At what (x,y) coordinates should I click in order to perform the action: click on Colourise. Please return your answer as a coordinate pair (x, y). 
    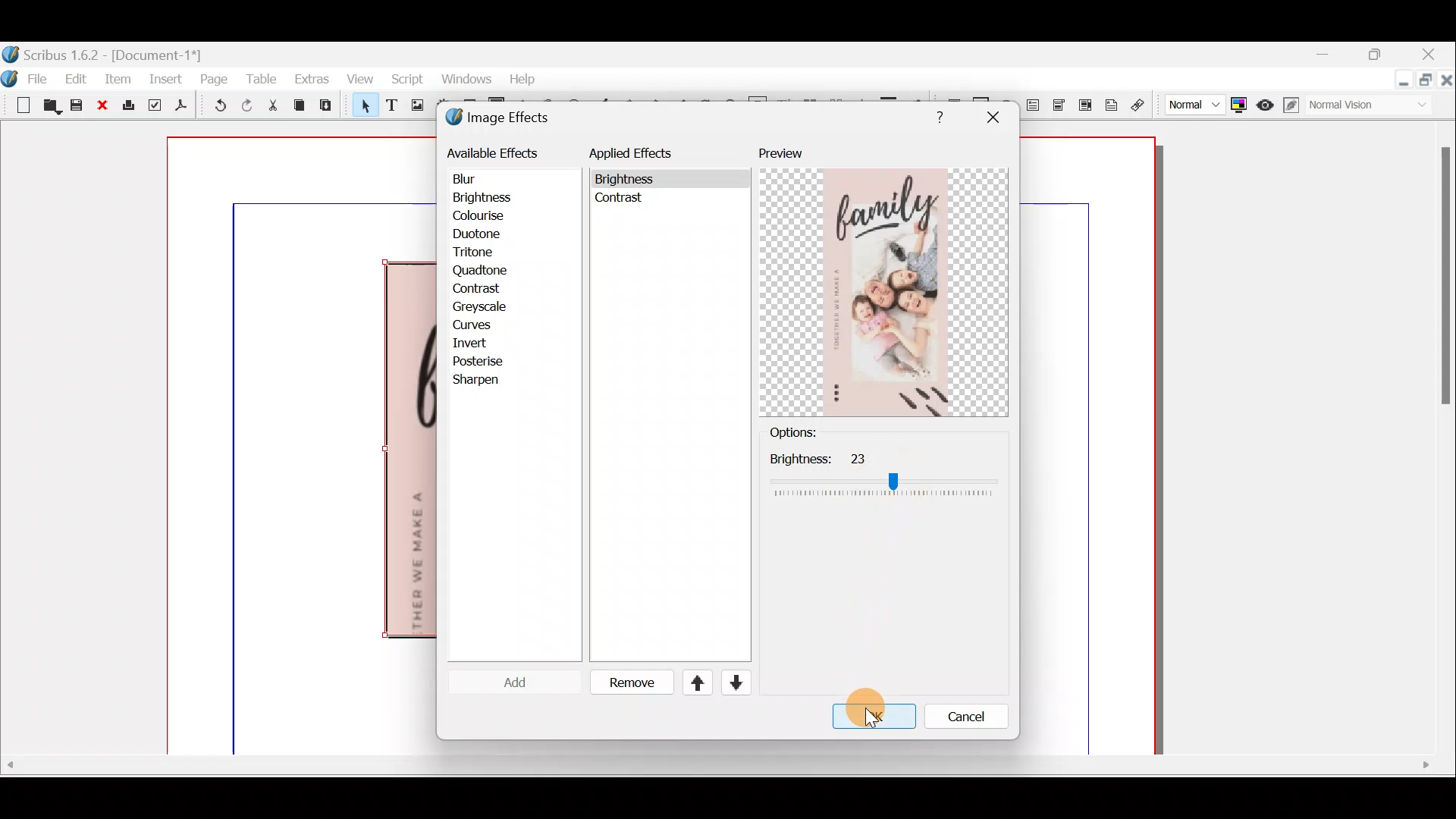
    Looking at the image, I should click on (486, 217).